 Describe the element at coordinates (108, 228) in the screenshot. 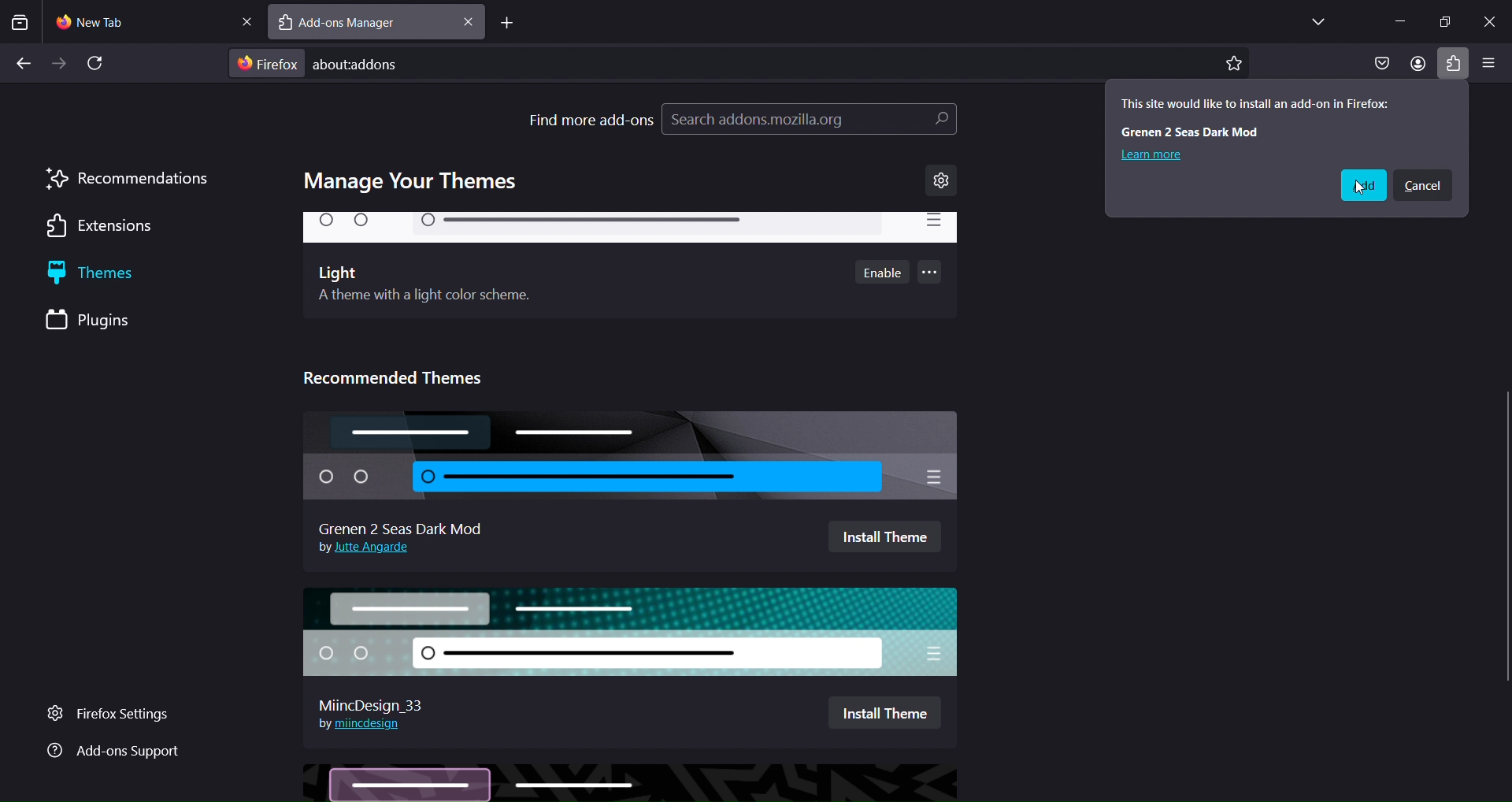

I see `extensions` at that location.